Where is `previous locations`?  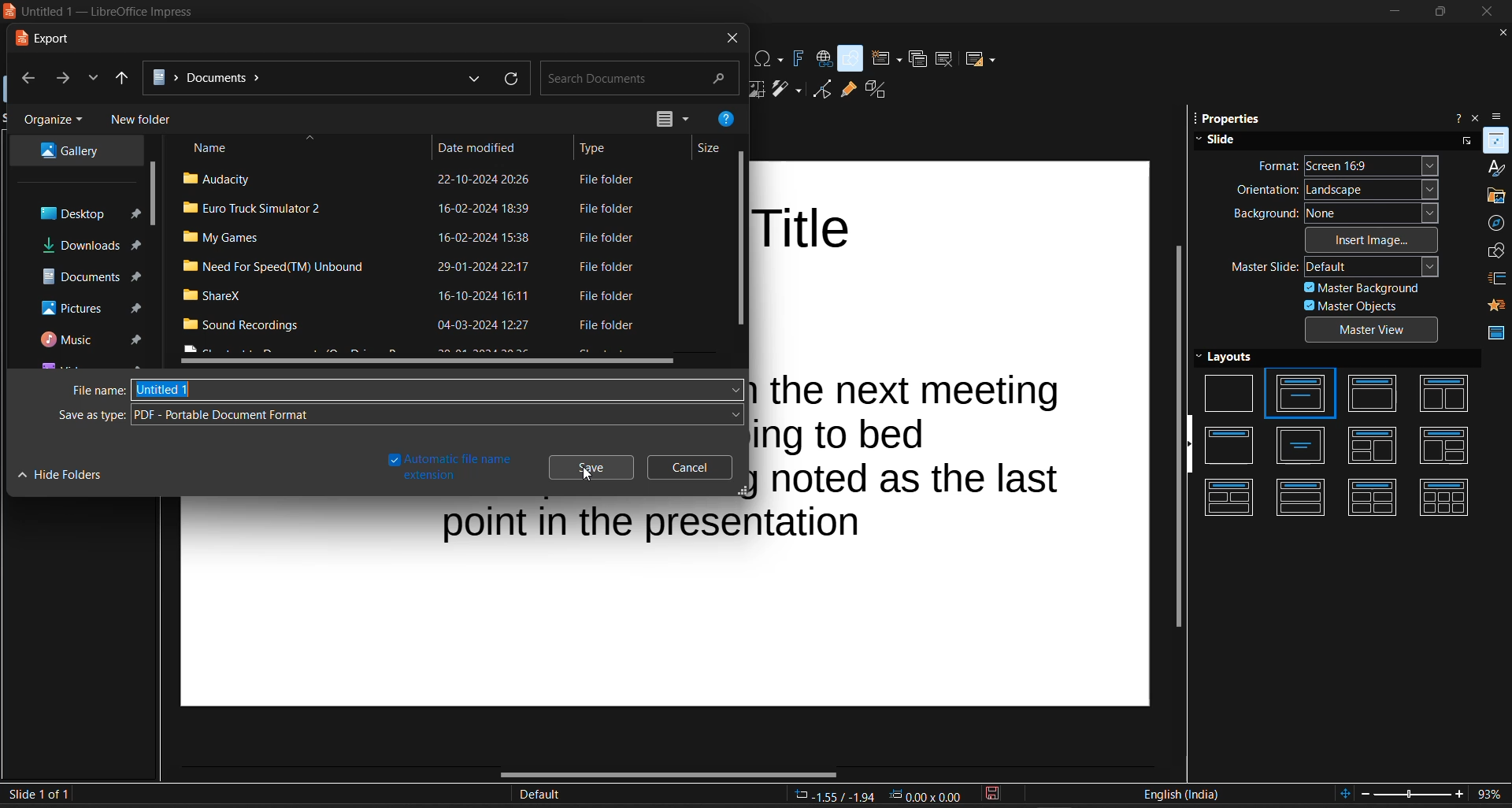
previous locations is located at coordinates (476, 77).